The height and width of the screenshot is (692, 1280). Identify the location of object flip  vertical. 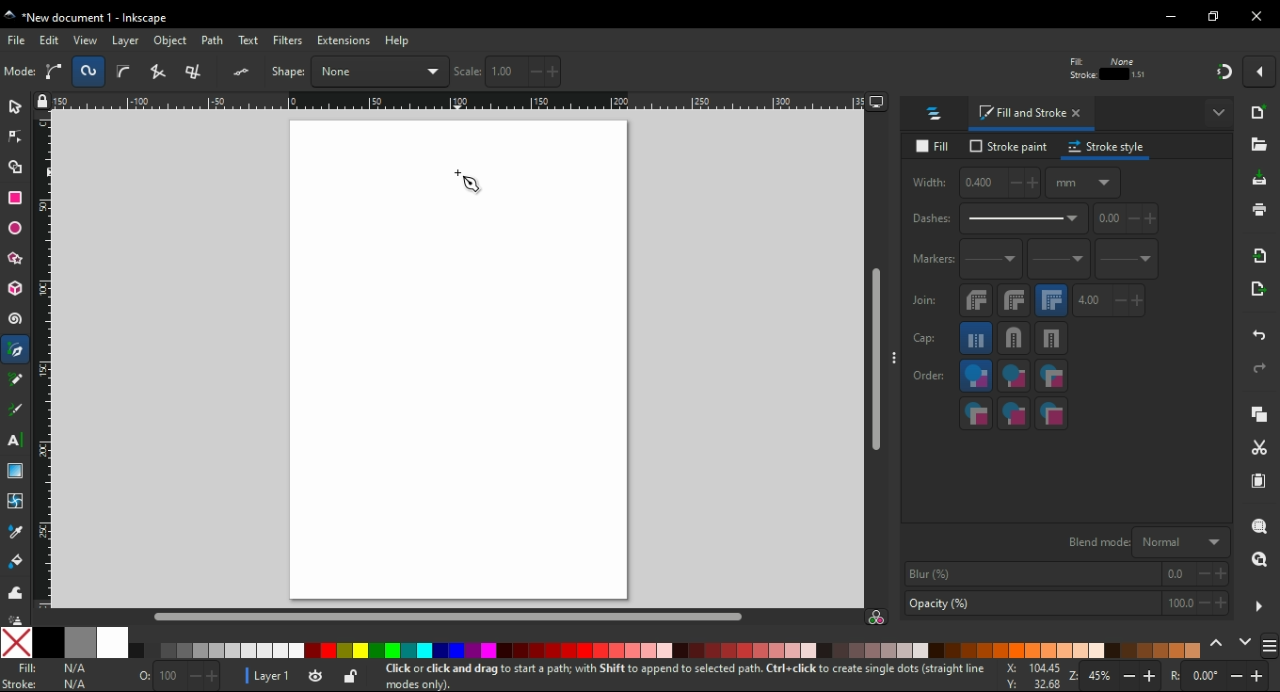
(285, 71).